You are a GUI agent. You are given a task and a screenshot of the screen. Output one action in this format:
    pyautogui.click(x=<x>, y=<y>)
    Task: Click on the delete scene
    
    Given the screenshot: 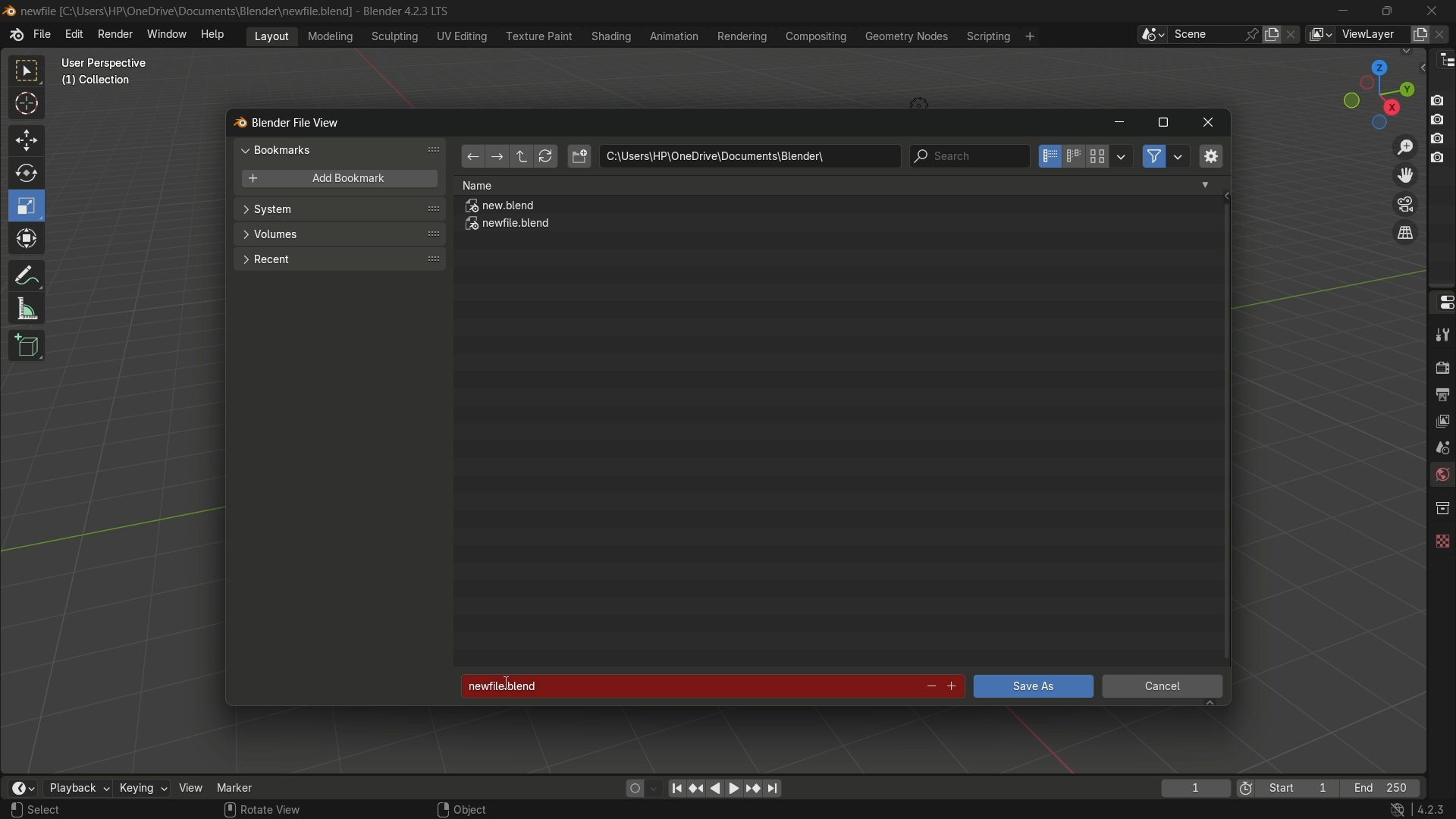 What is the action you would take?
    pyautogui.click(x=1293, y=34)
    